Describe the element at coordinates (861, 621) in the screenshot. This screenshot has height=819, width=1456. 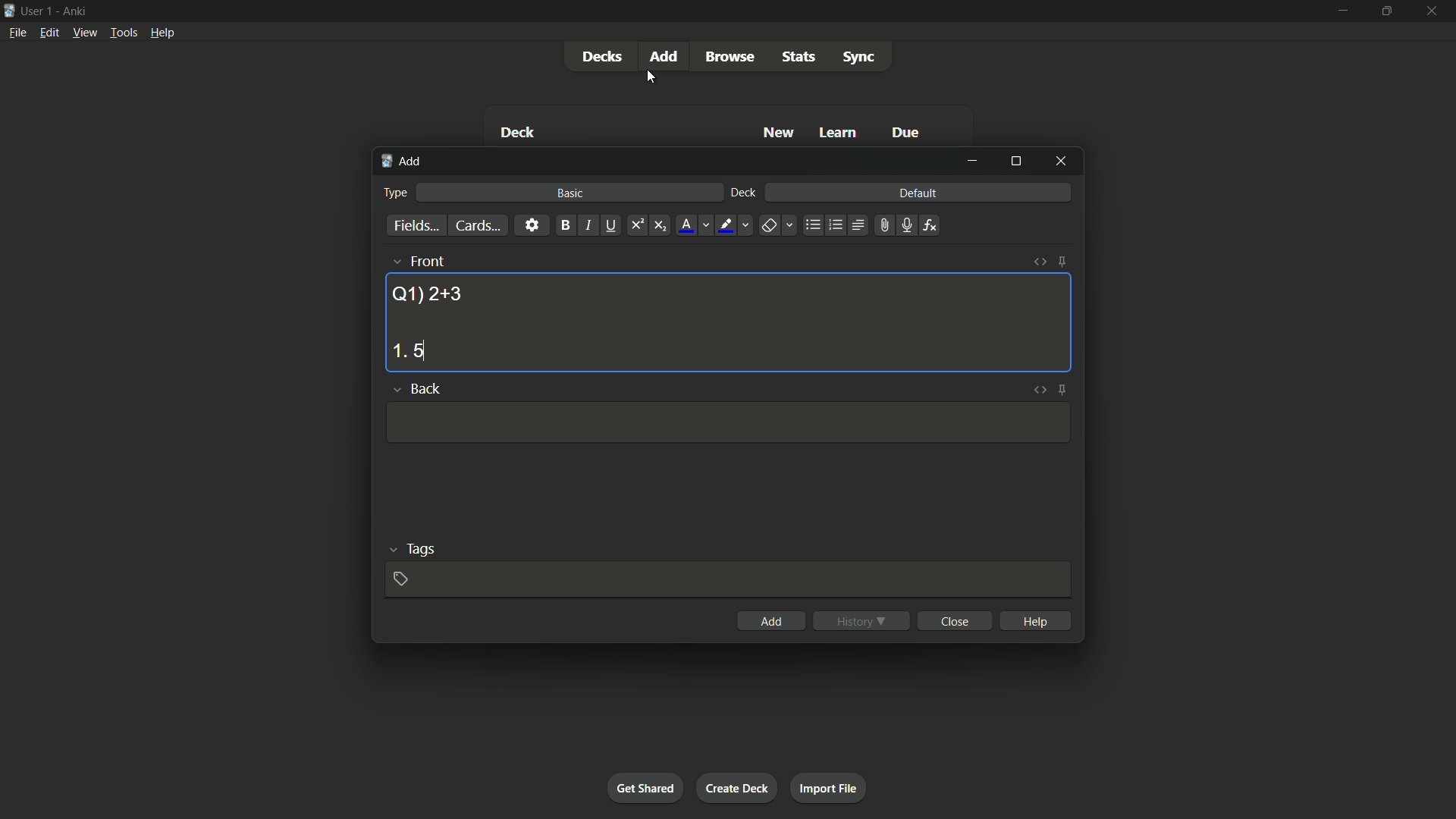
I see `history` at that location.